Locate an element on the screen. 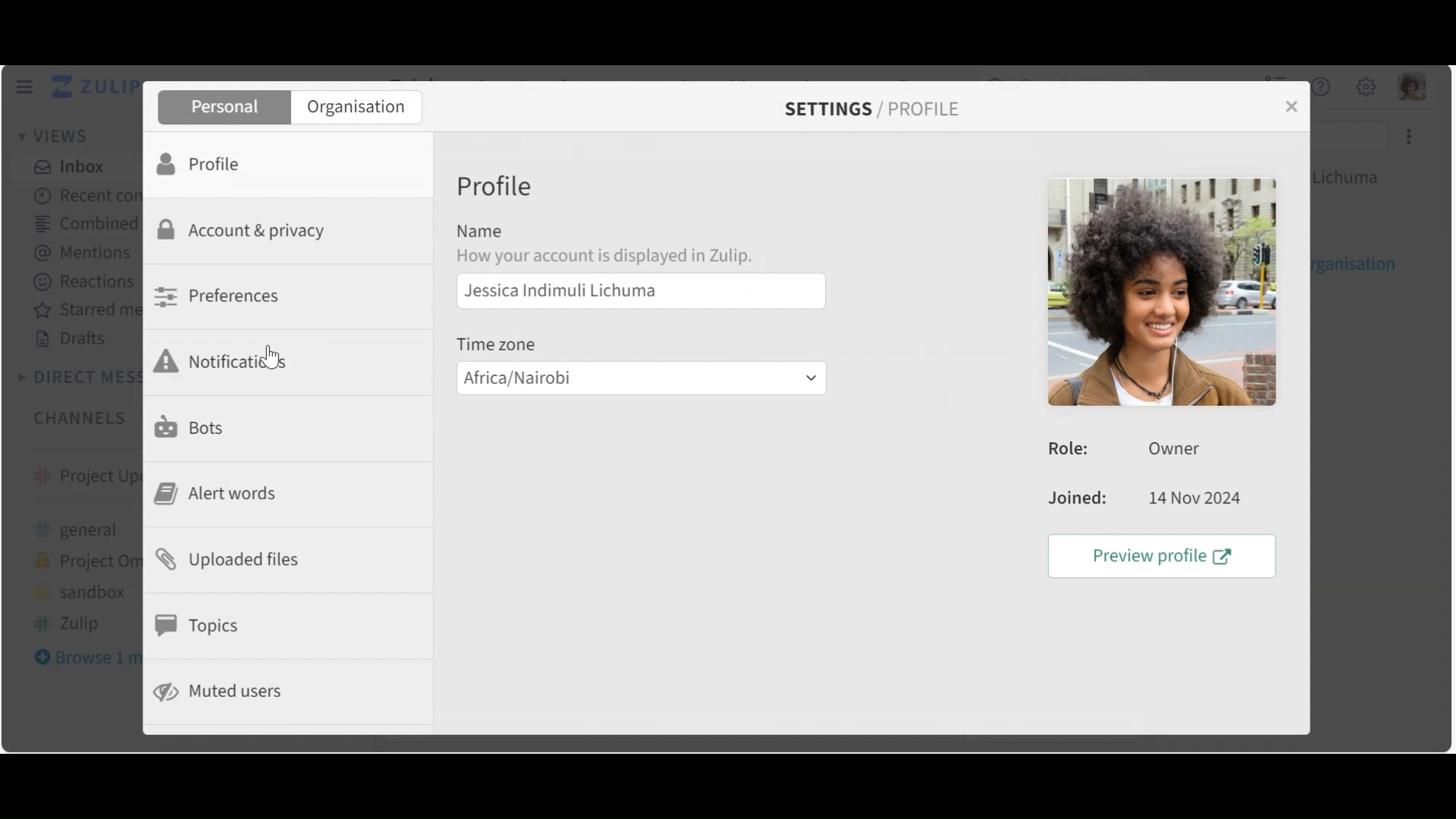 The image size is (1456, 819). Settings/Profile is located at coordinates (868, 109).